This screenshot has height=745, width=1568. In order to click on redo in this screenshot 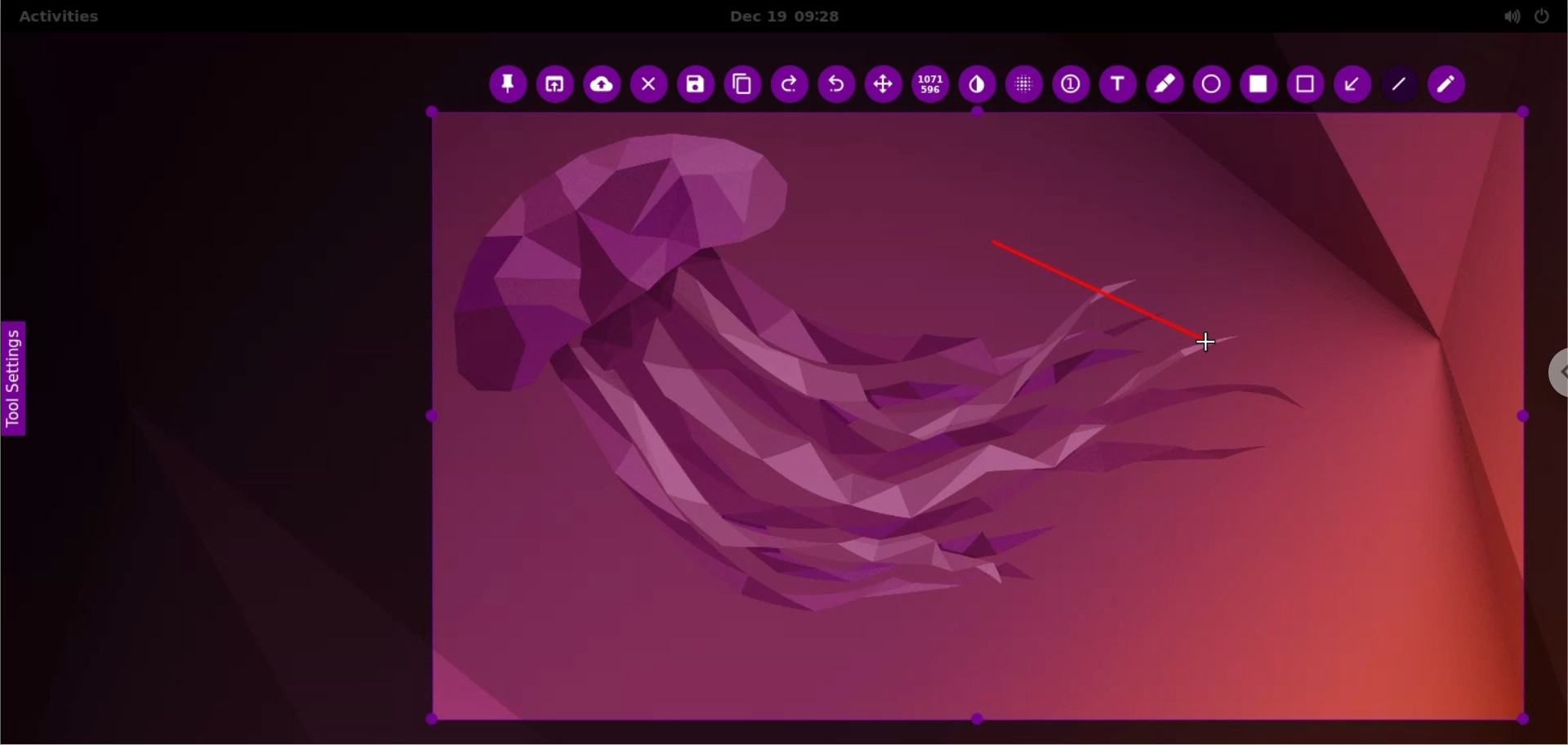, I will do `click(793, 85)`.